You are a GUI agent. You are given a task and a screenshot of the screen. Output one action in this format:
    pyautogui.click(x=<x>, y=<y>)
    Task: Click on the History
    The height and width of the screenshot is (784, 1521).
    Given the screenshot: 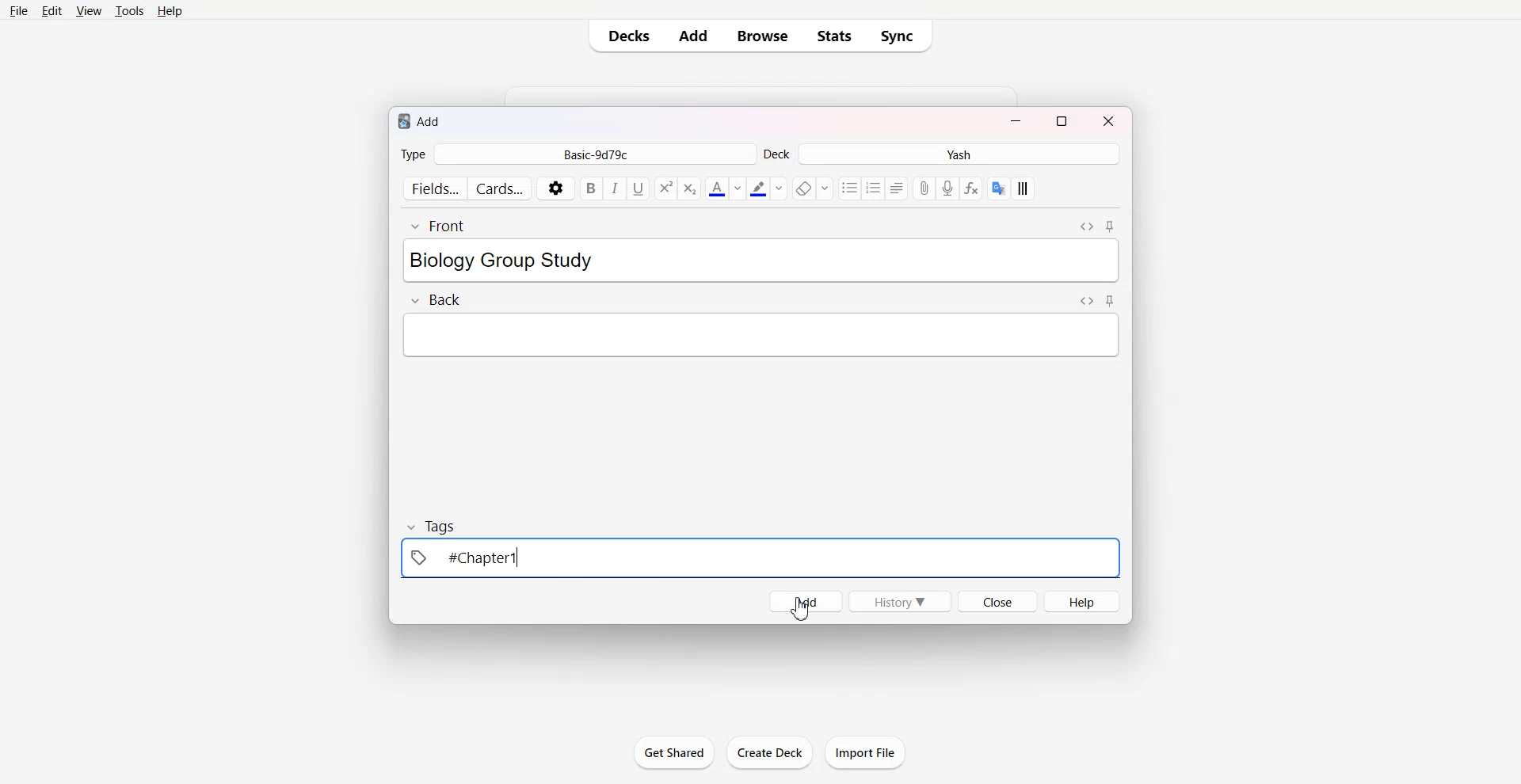 What is the action you would take?
    pyautogui.click(x=901, y=601)
    